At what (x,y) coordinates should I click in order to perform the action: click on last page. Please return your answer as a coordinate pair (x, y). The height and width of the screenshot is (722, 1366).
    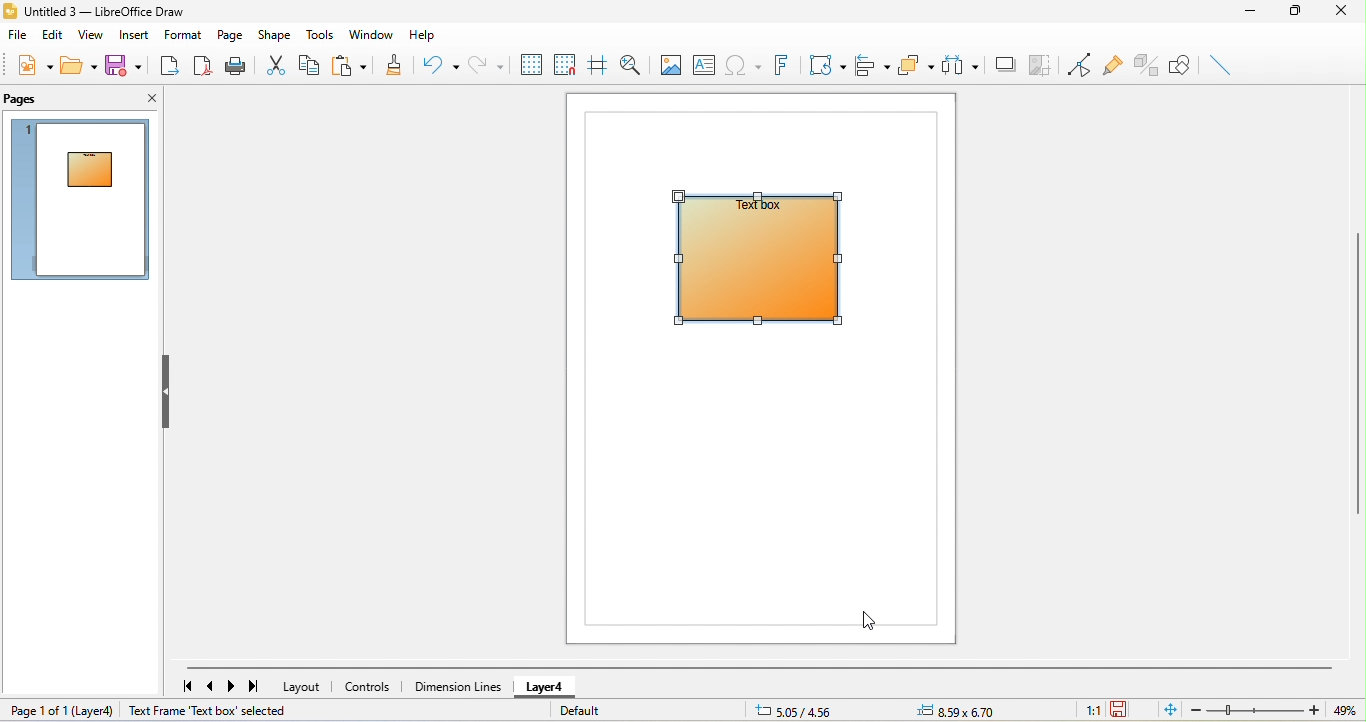
    Looking at the image, I should click on (259, 689).